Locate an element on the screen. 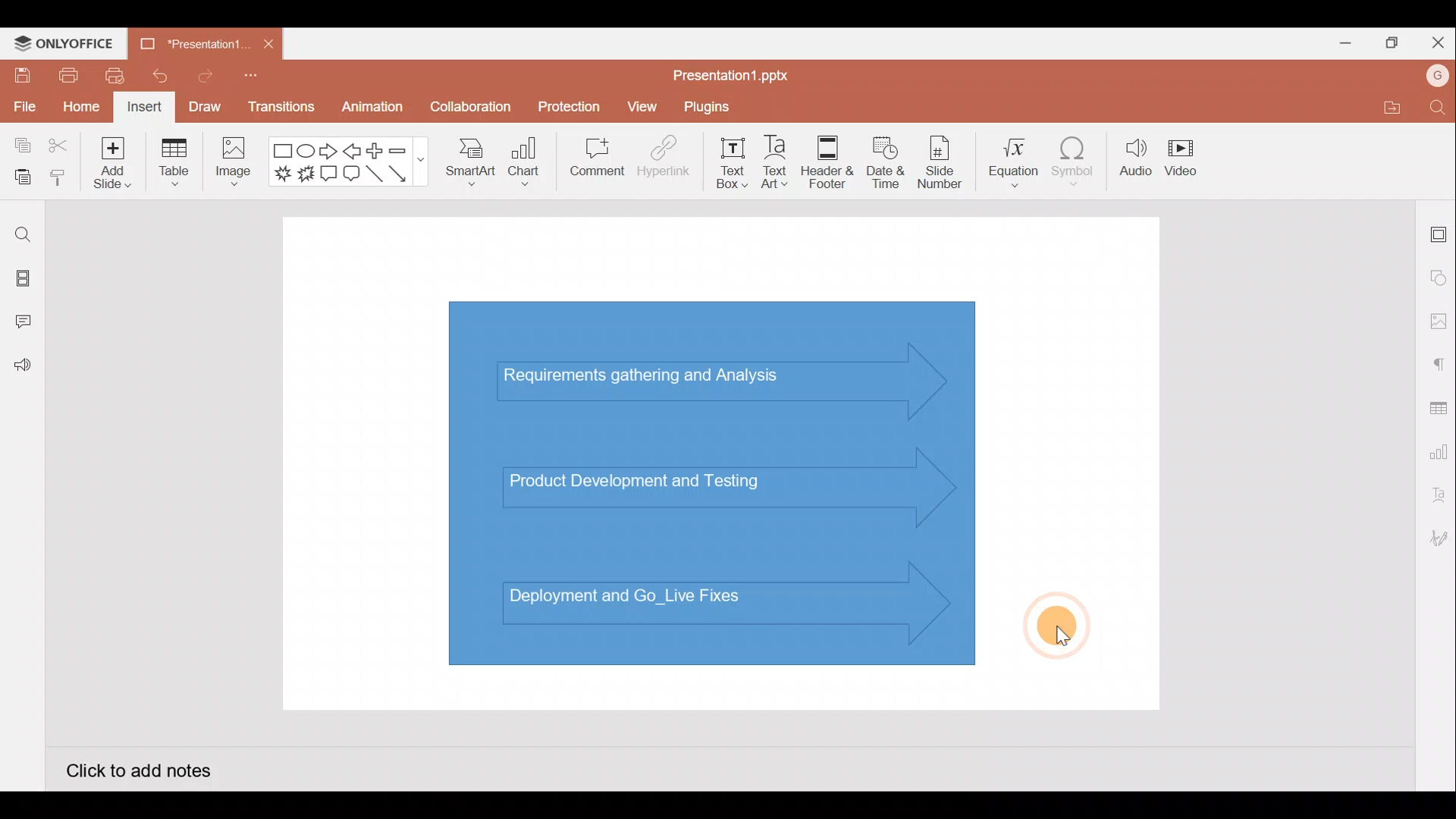 The image size is (1456, 819). Draw is located at coordinates (204, 106).